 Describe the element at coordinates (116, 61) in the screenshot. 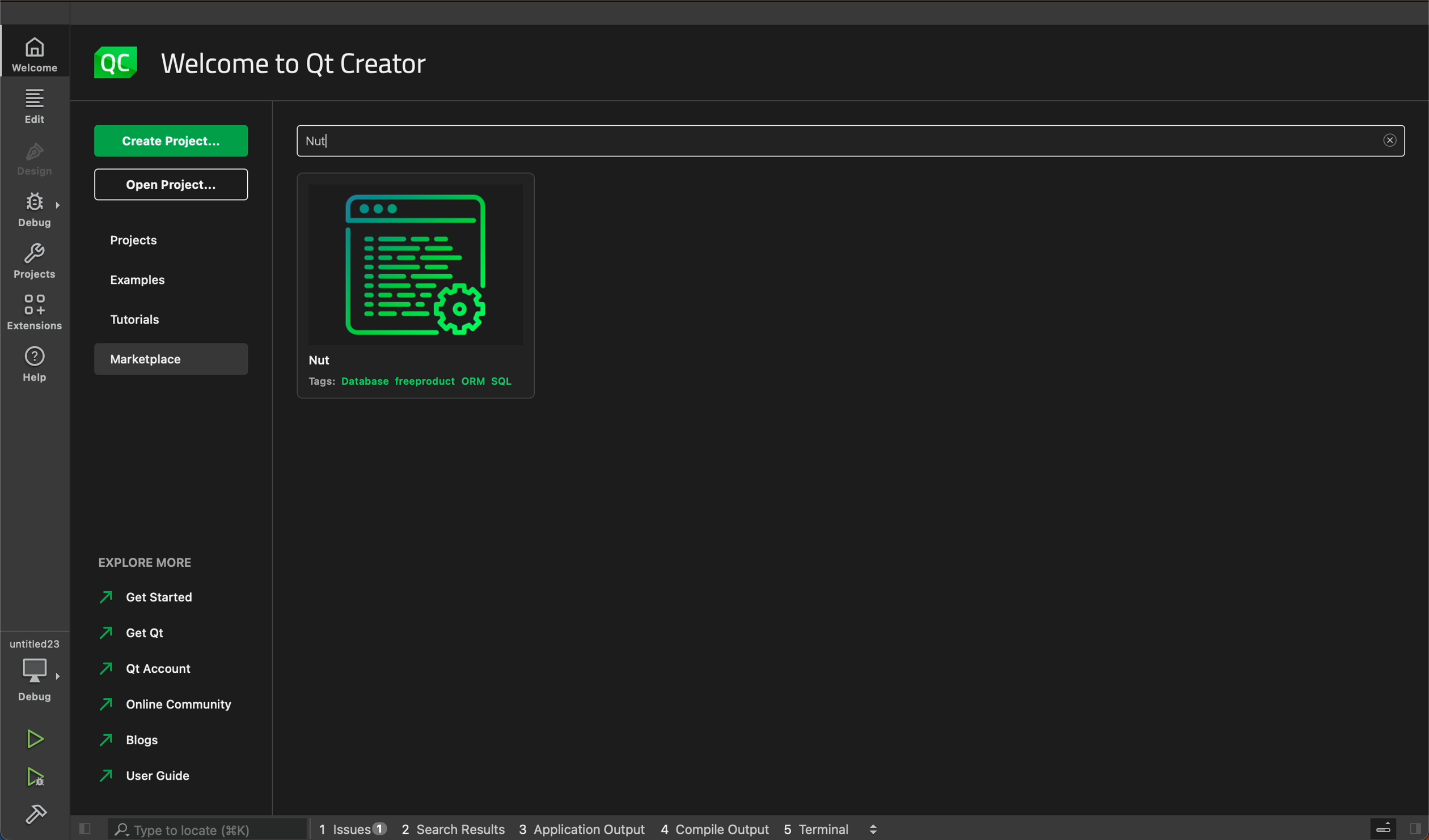

I see `logo` at that location.